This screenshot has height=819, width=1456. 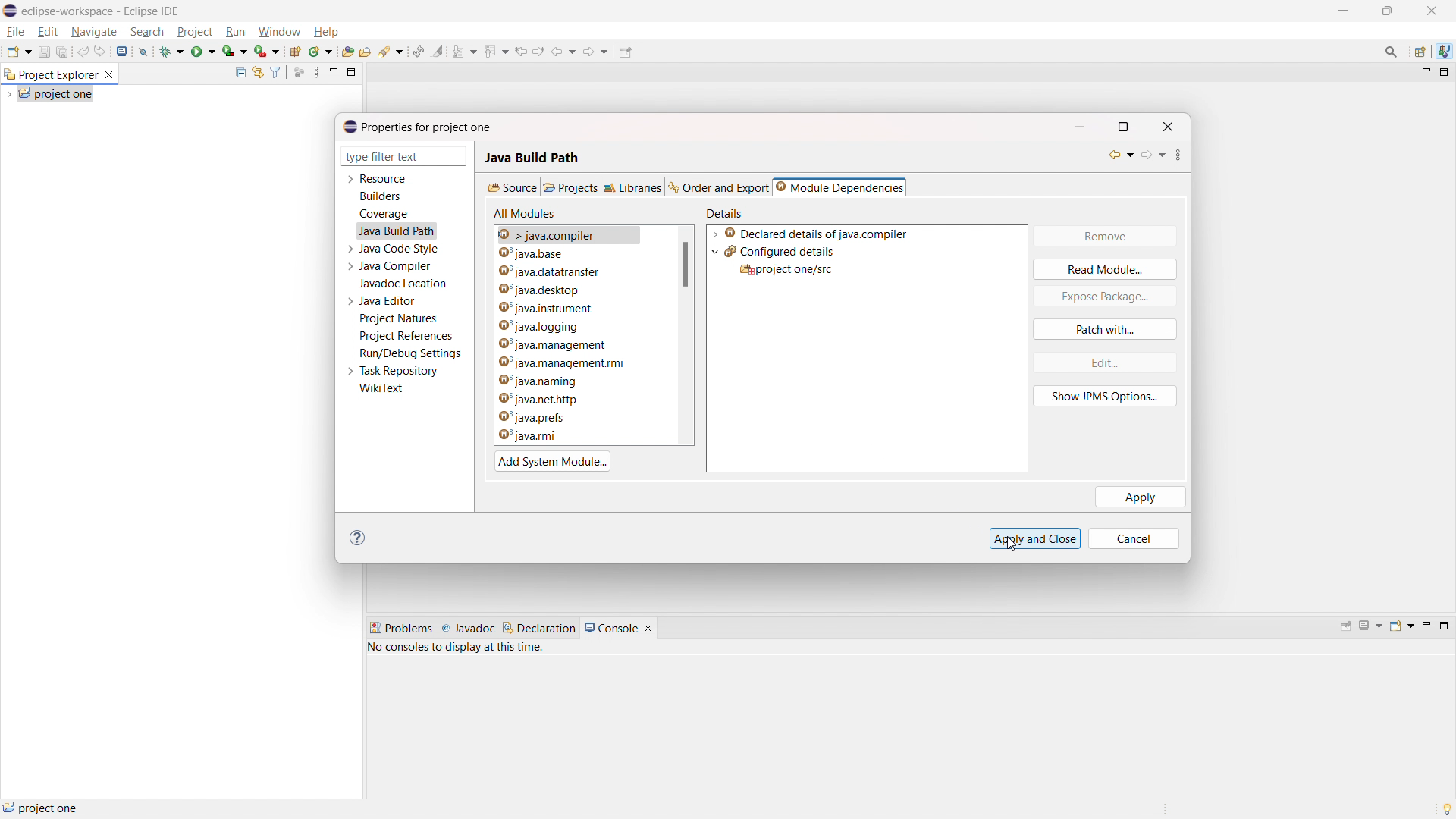 What do you see at coordinates (195, 32) in the screenshot?
I see `project` at bounding box center [195, 32].